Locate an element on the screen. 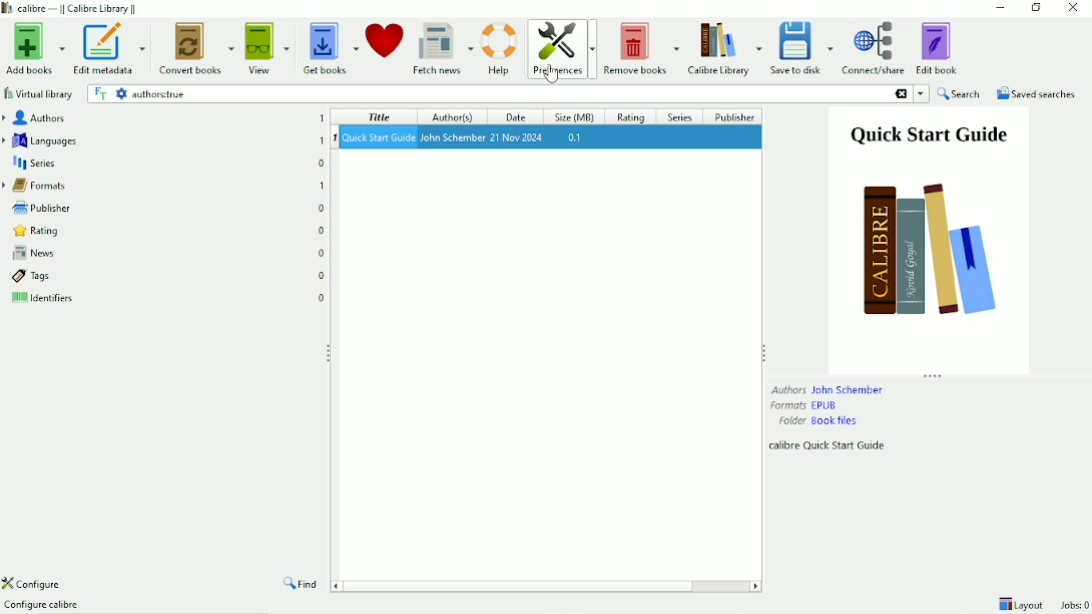  View is located at coordinates (270, 47).